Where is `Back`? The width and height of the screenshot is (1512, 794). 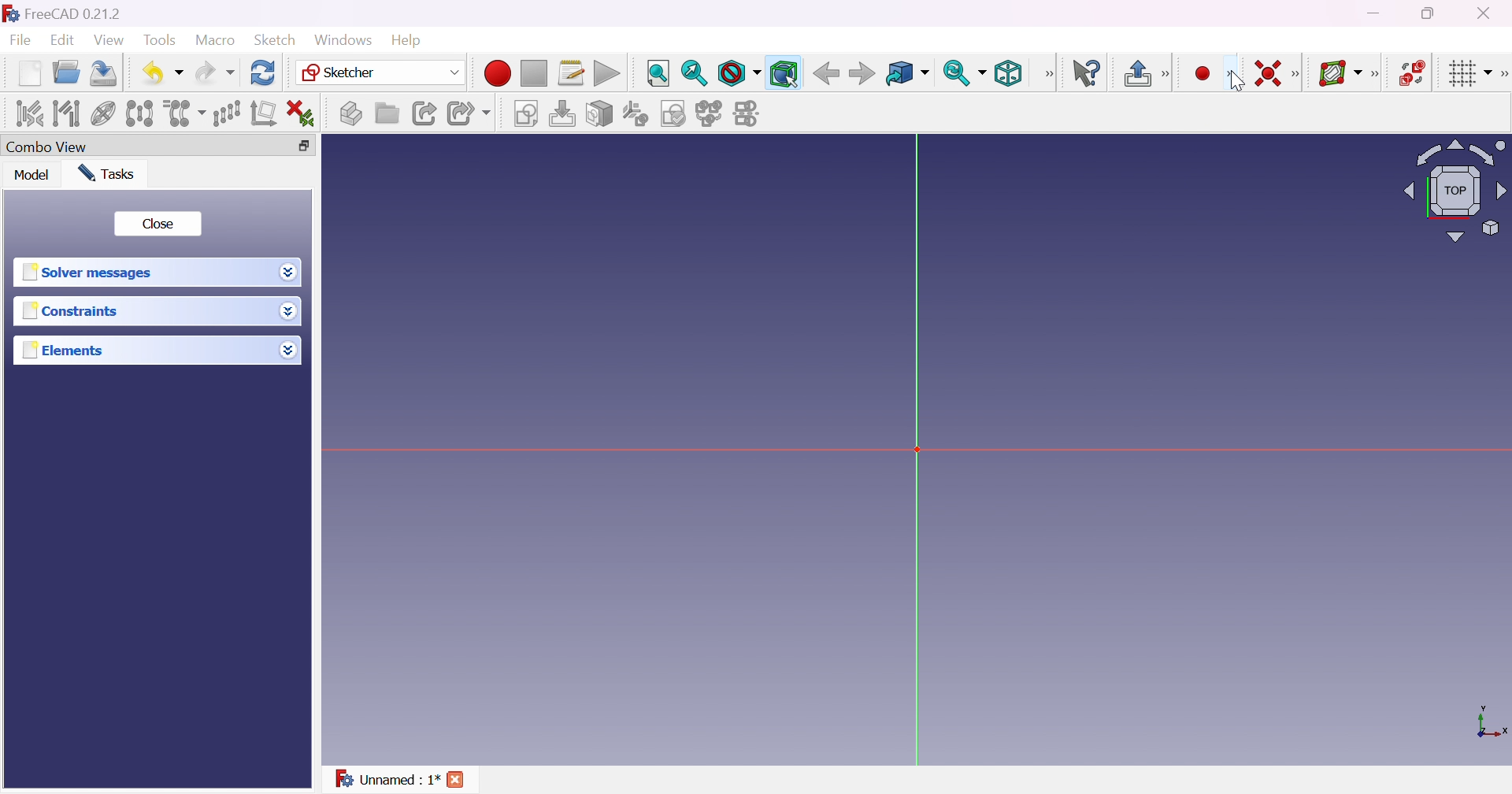 Back is located at coordinates (826, 74).